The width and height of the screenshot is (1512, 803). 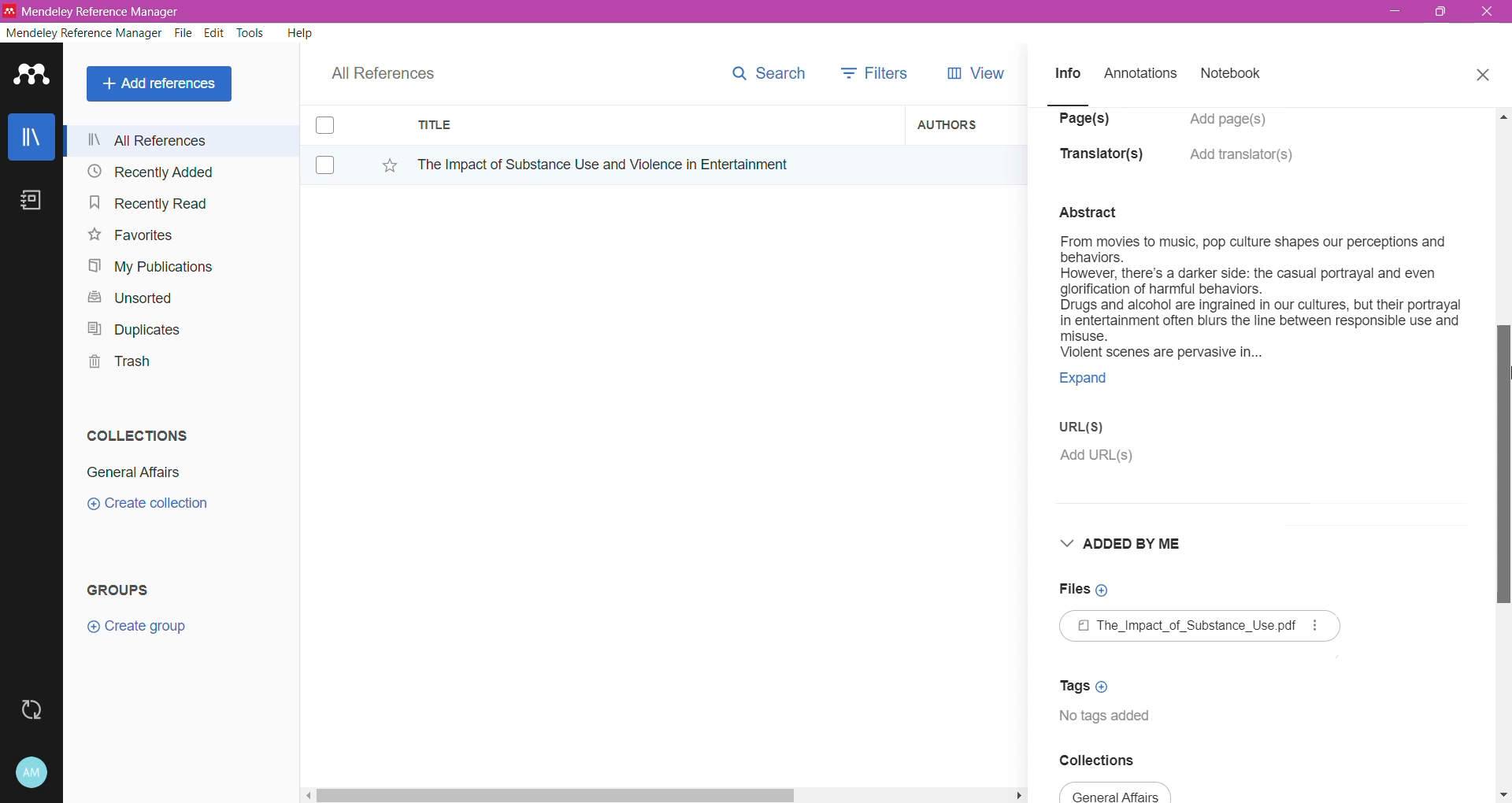 What do you see at coordinates (1106, 757) in the screenshot?
I see `Collections` at bounding box center [1106, 757].